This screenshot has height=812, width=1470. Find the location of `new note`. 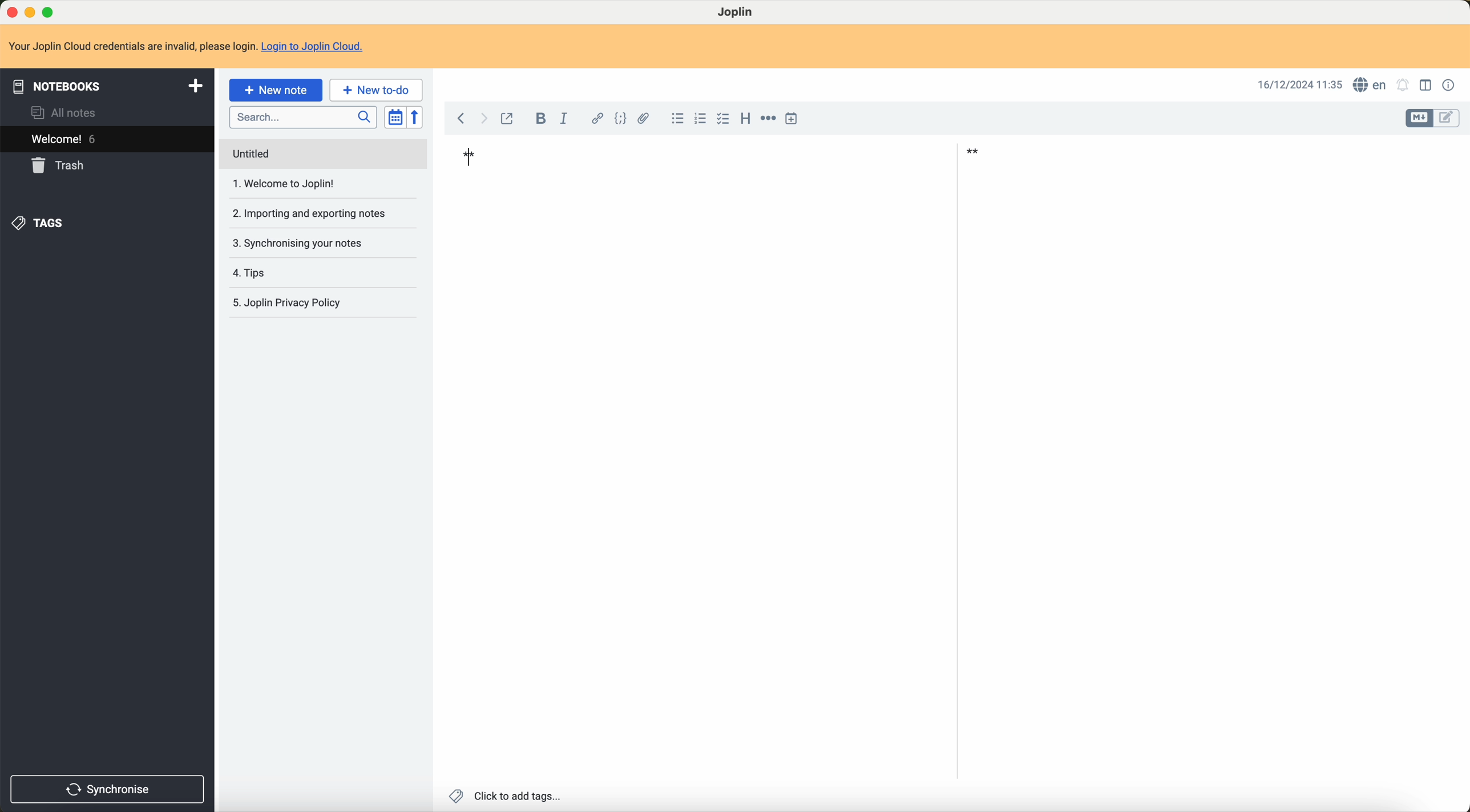

new note is located at coordinates (276, 90).